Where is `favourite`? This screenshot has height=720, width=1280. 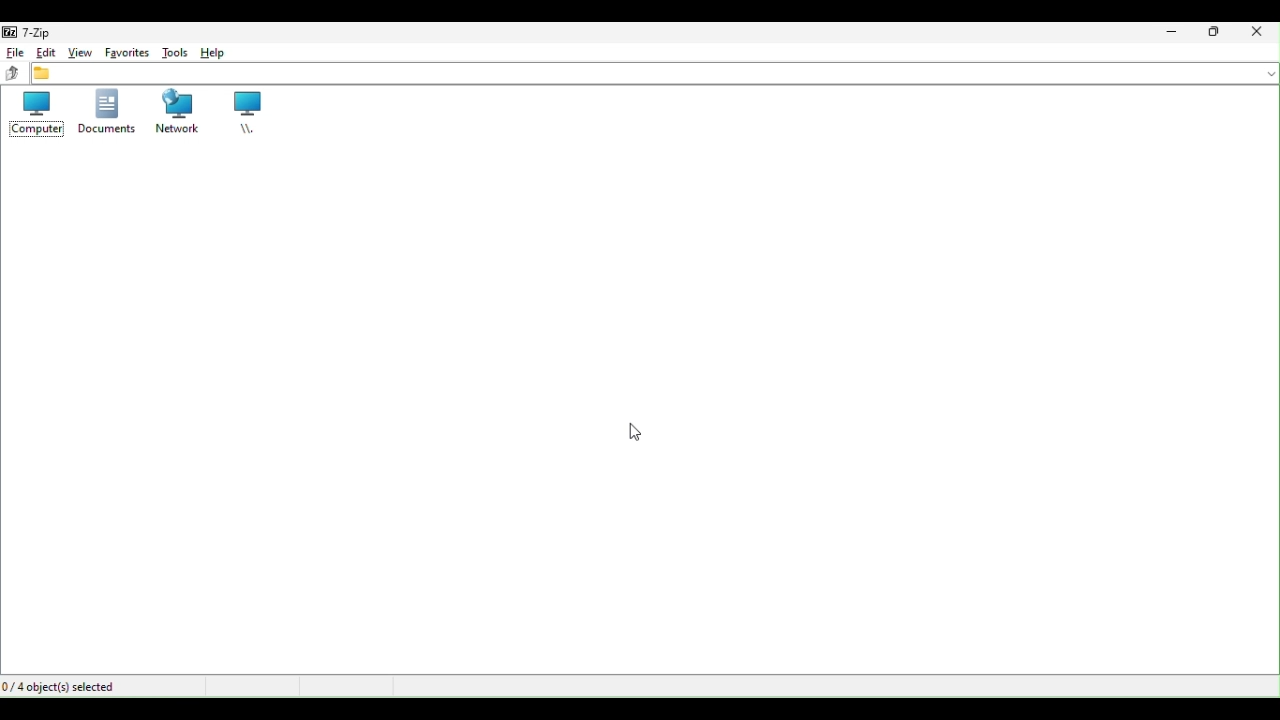 favourite is located at coordinates (125, 53).